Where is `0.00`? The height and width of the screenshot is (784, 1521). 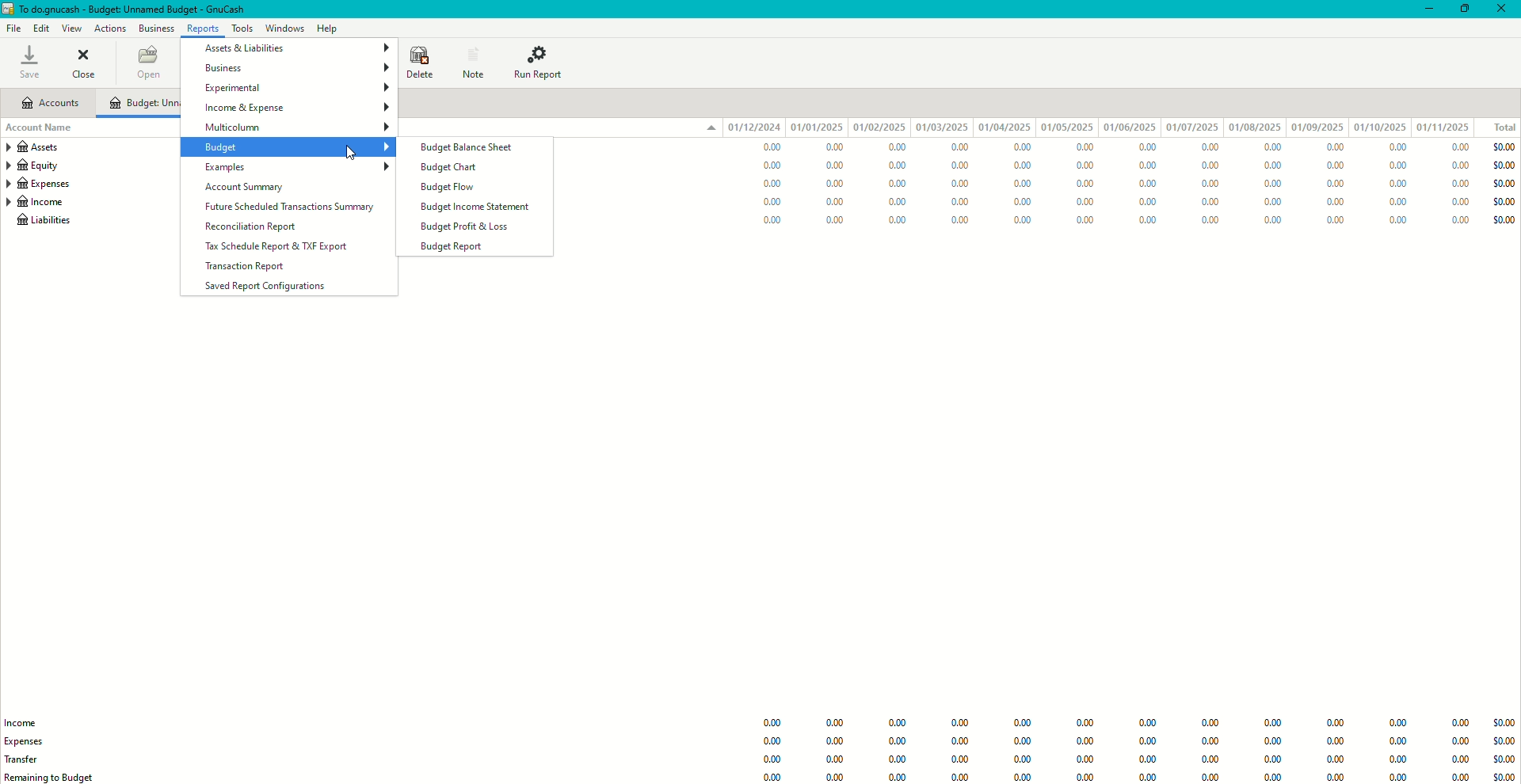 0.00 is located at coordinates (951, 166).